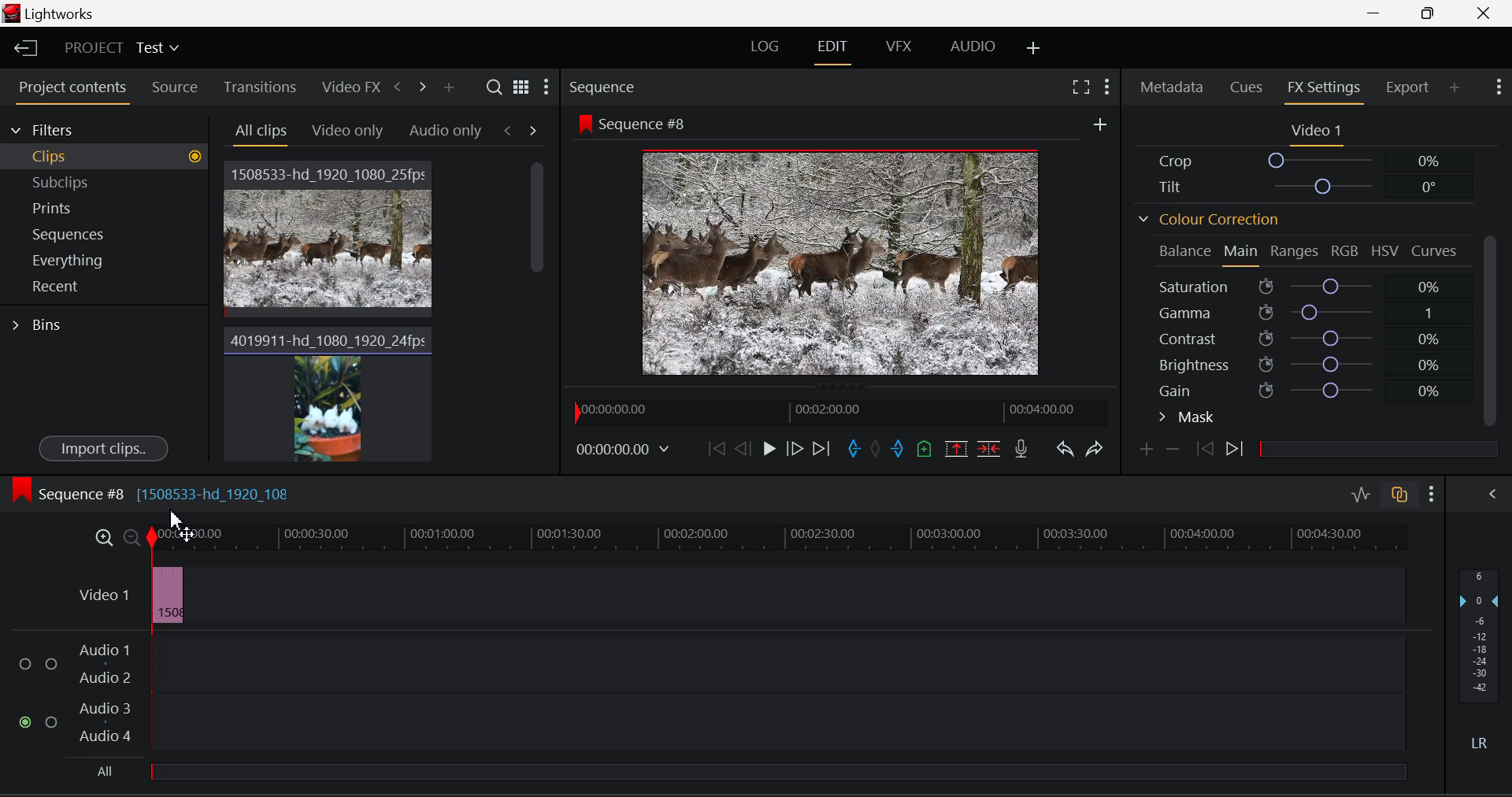  I want to click on All, so click(743, 773).